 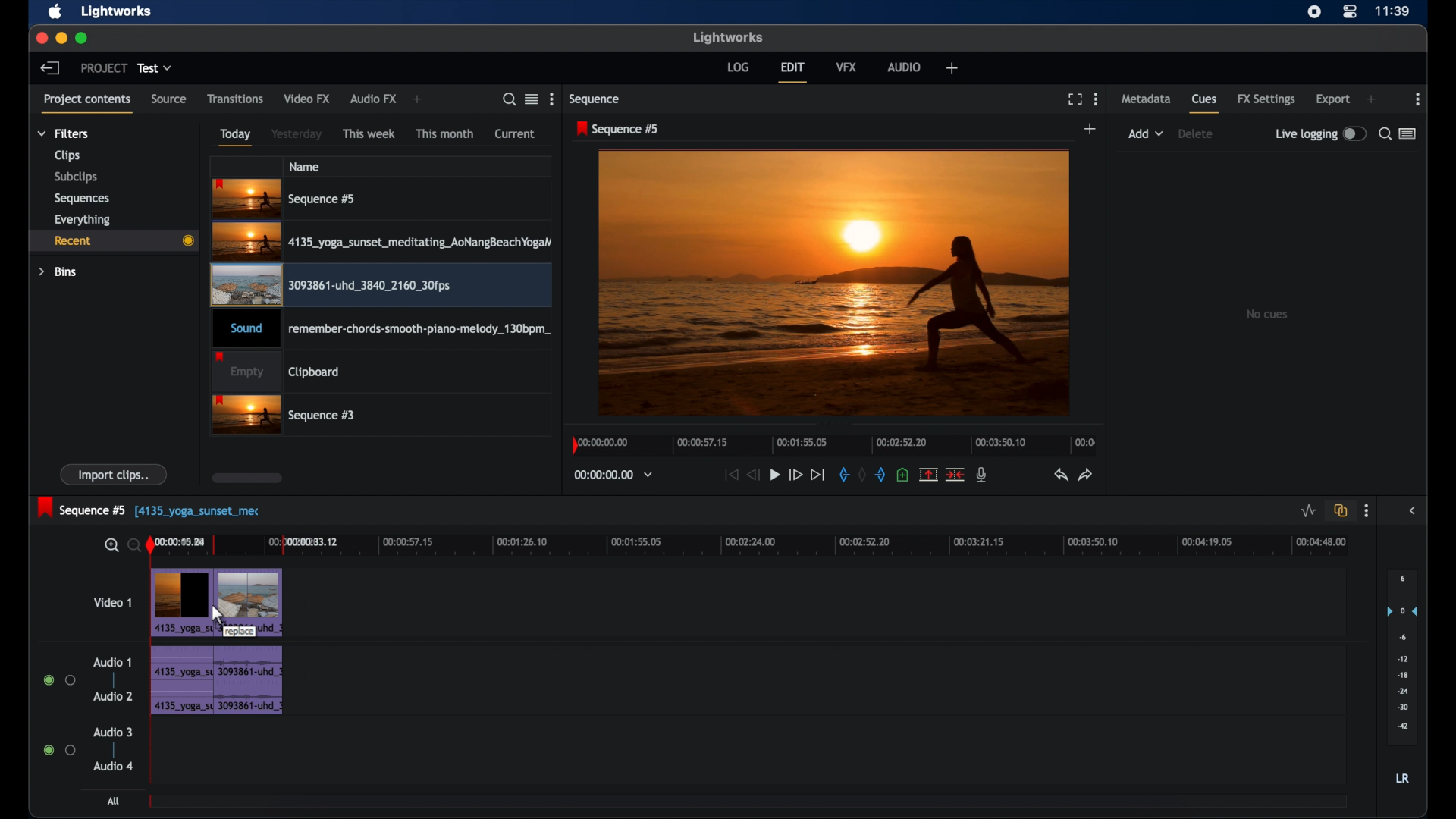 What do you see at coordinates (235, 98) in the screenshot?
I see `transitions` at bounding box center [235, 98].